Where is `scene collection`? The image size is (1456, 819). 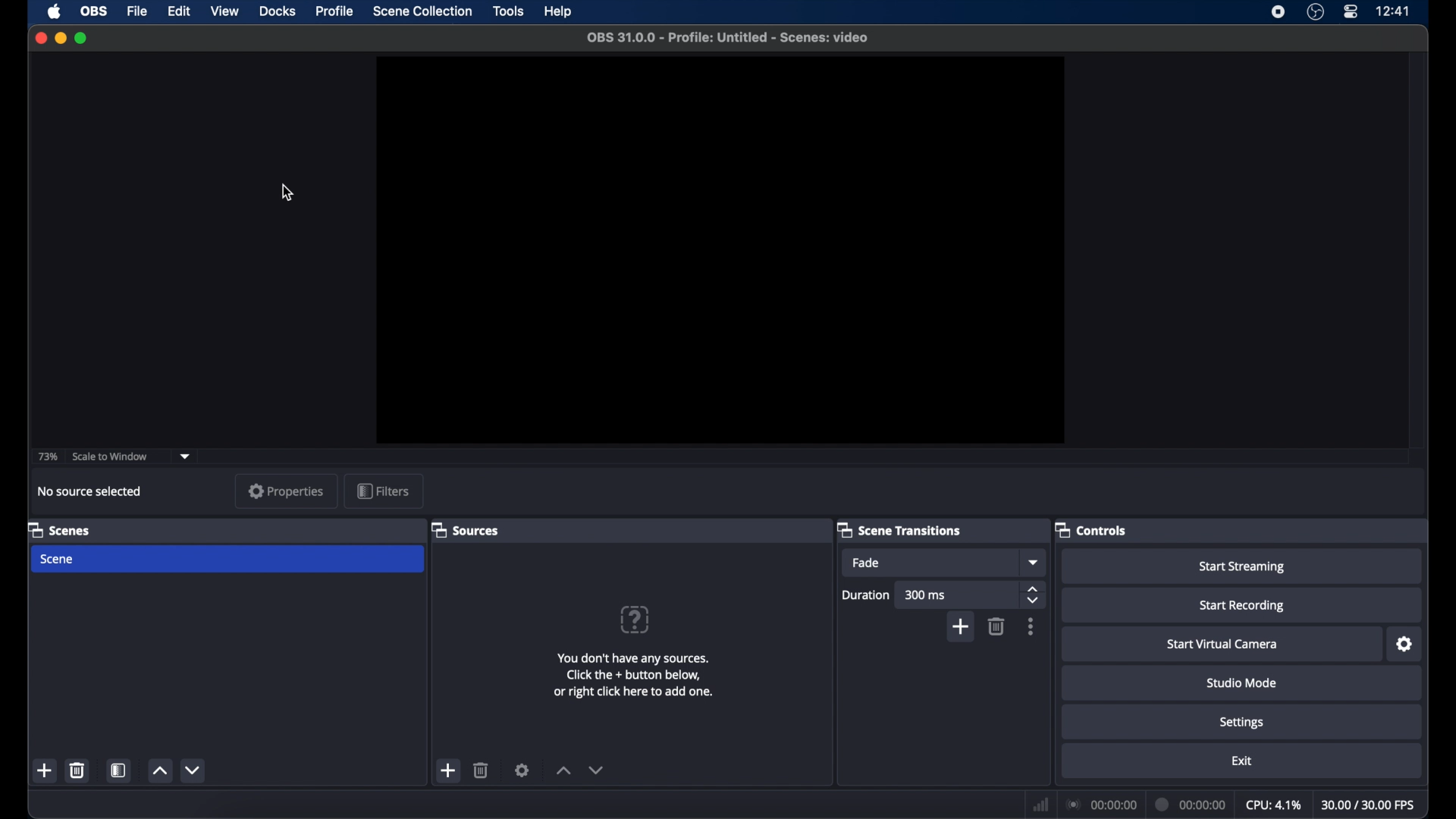
scene collection is located at coordinates (422, 11).